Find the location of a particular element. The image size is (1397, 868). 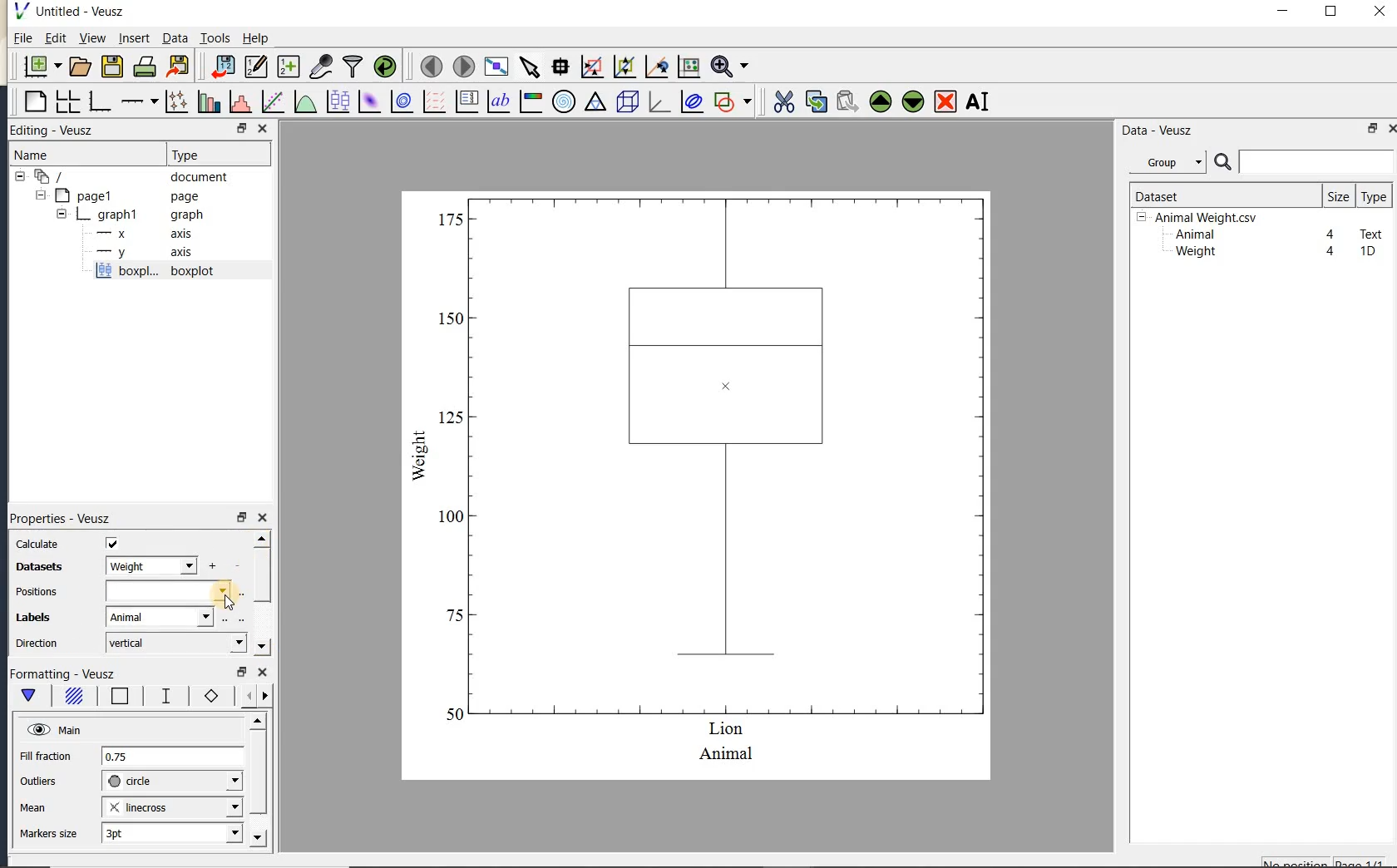

box plot is located at coordinates (698, 484).